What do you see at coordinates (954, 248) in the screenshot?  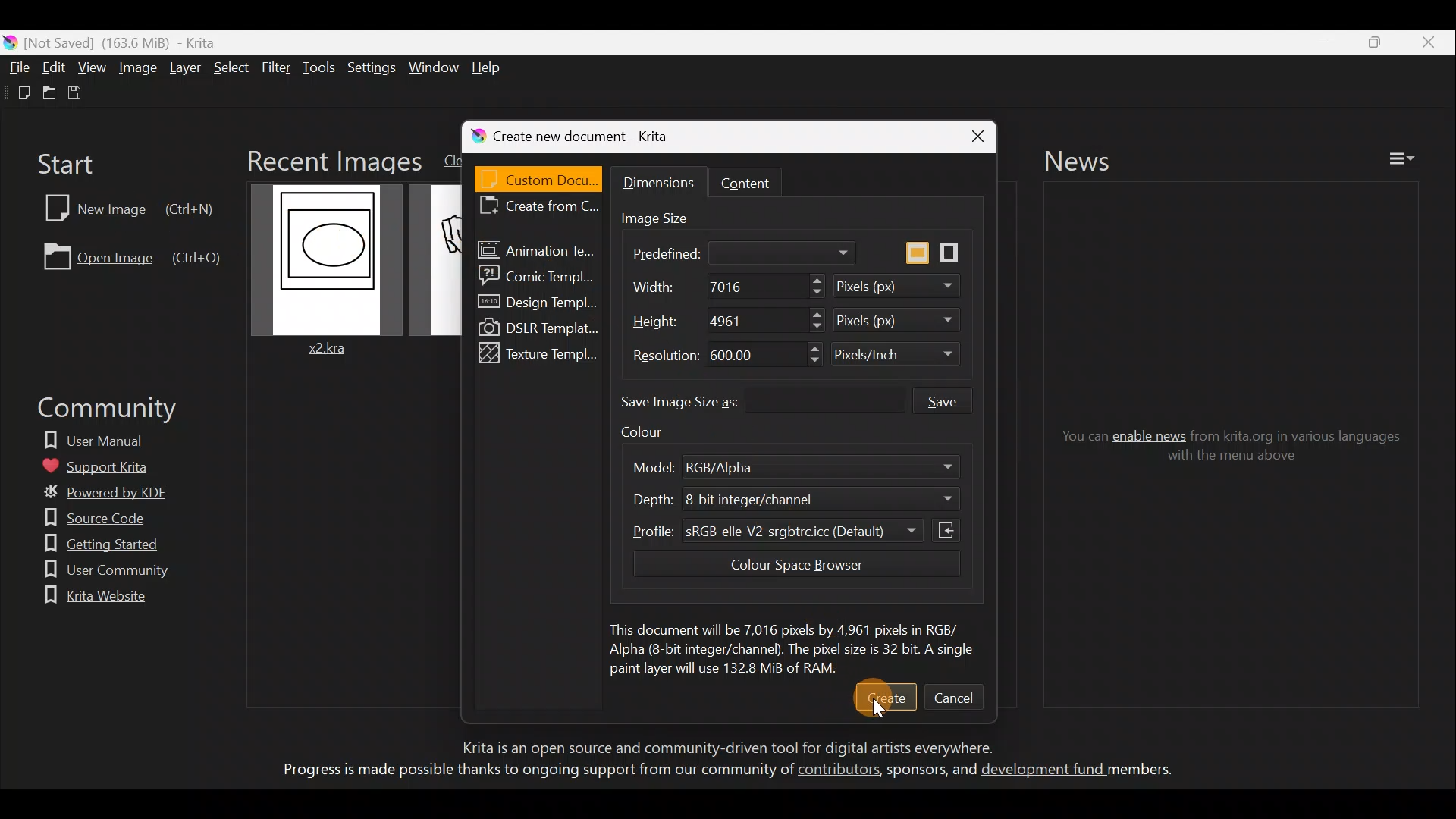 I see `Portrait` at bounding box center [954, 248].